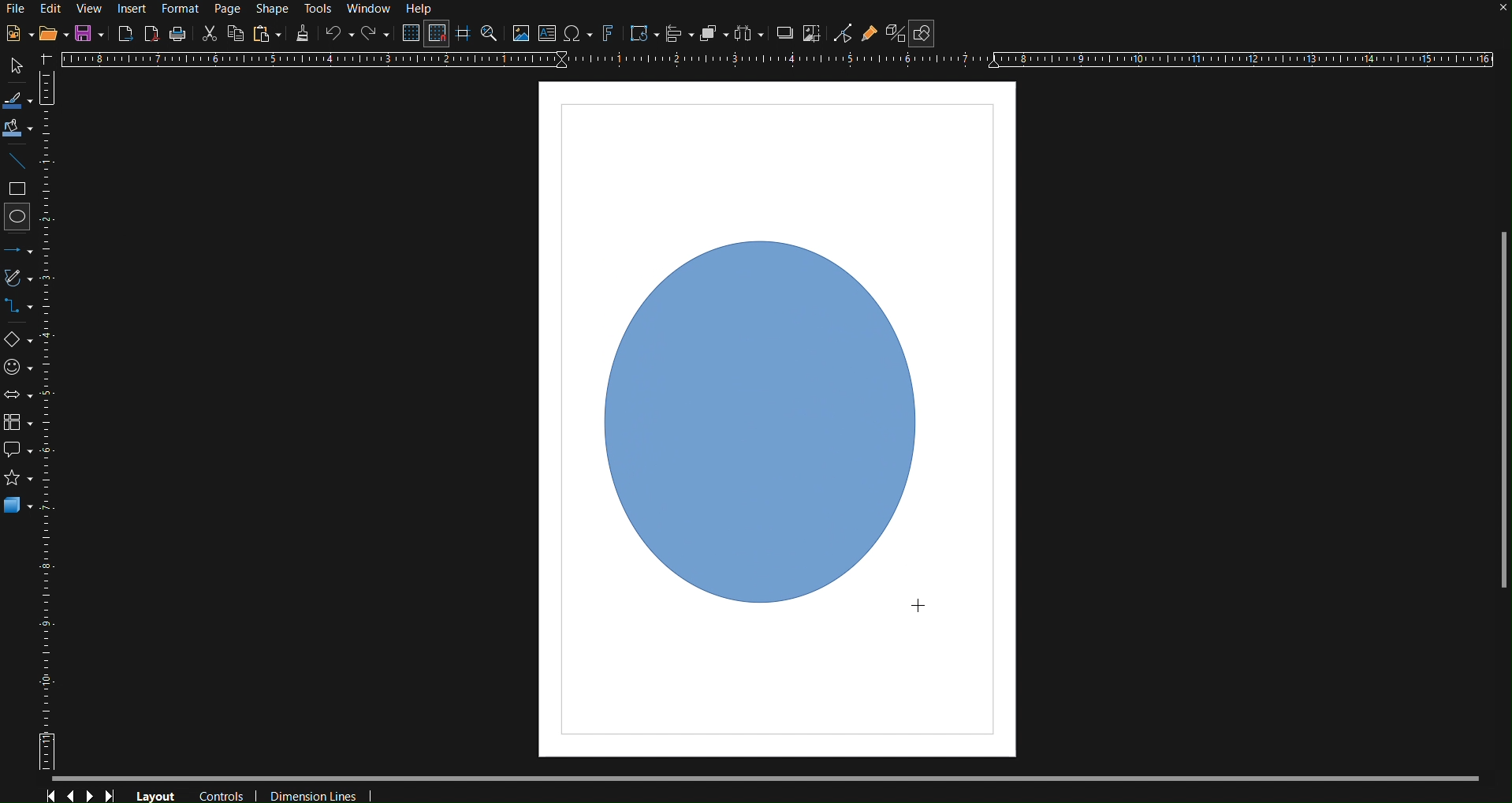 This screenshot has width=1512, height=803. What do you see at coordinates (178, 34) in the screenshot?
I see `Print` at bounding box center [178, 34].